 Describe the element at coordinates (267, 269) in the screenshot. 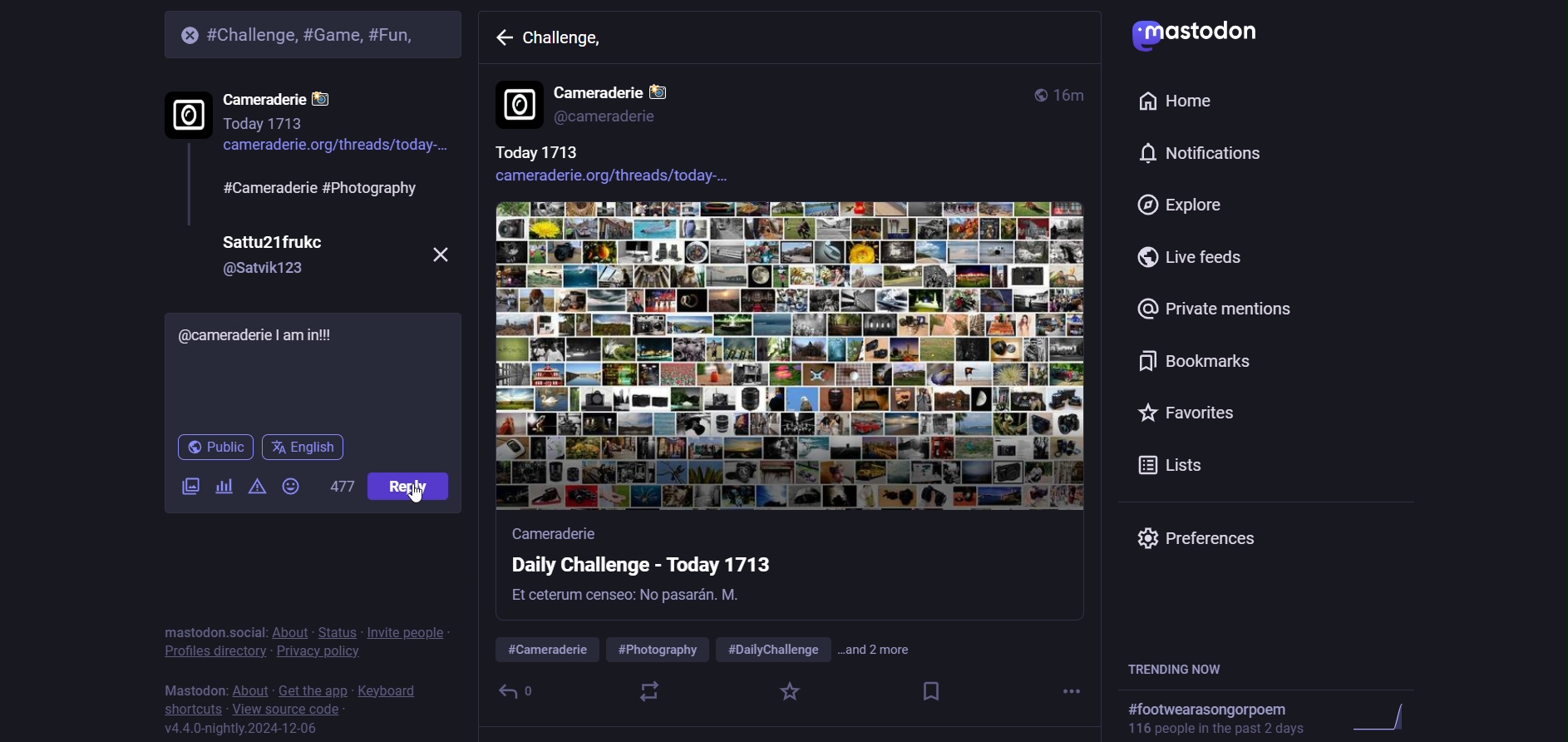

I see `@Satvik123` at that location.